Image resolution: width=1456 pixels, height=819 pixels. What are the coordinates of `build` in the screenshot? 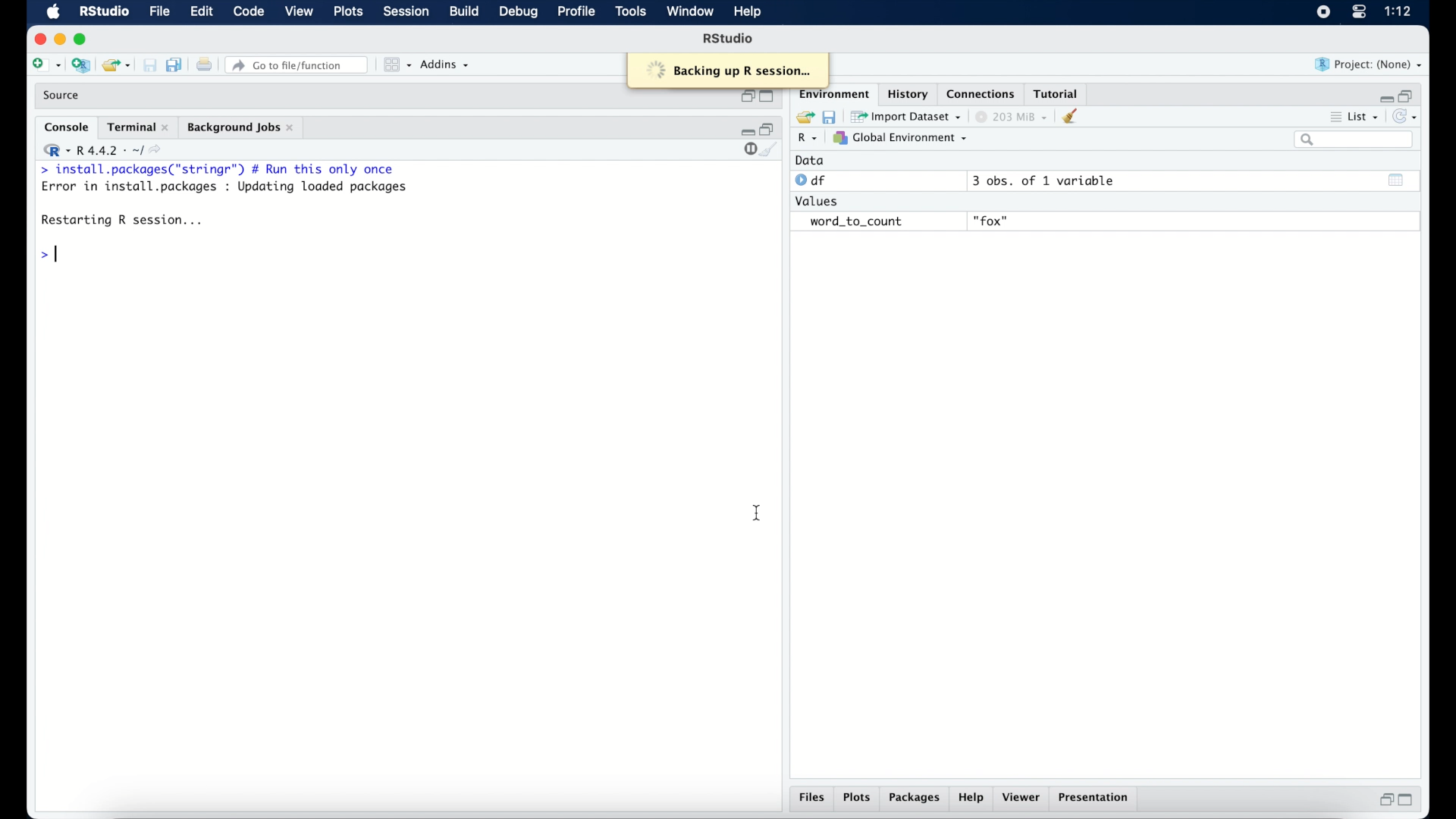 It's located at (463, 11).